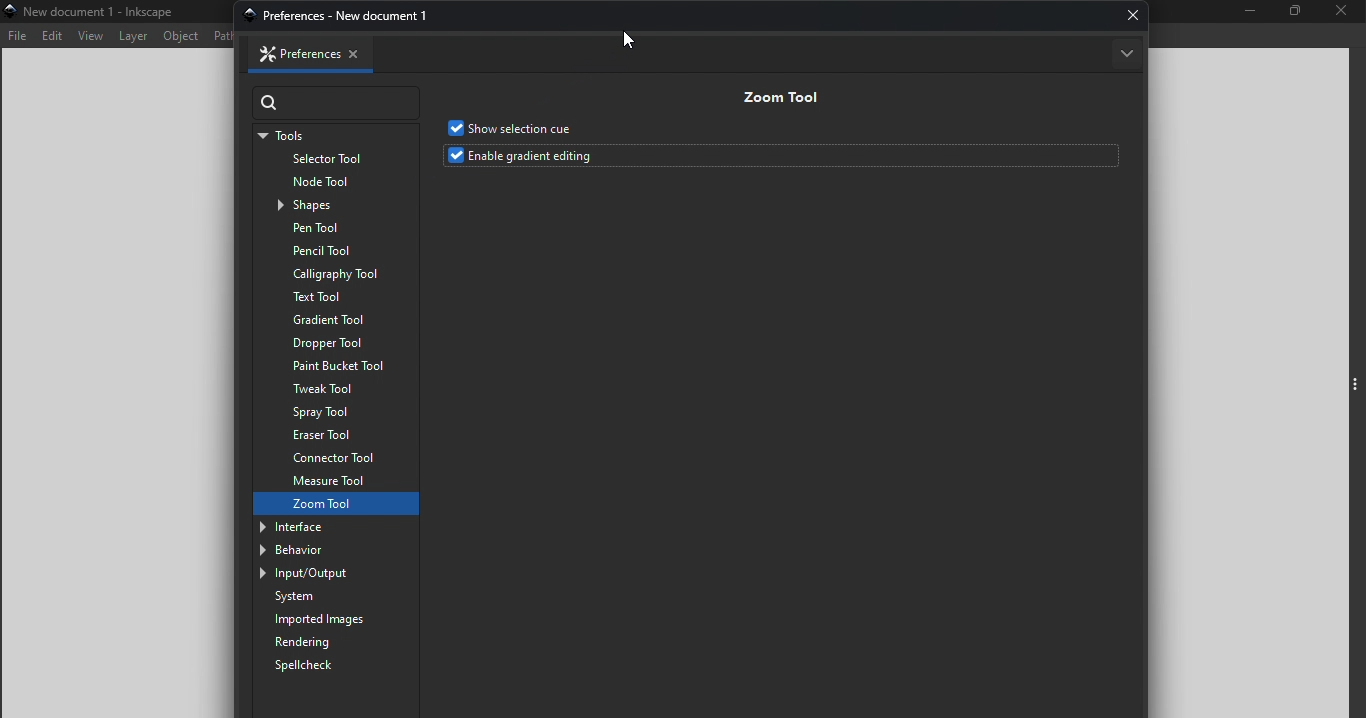  What do you see at coordinates (325, 455) in the screenshot?
I see `Connector tool` at bounding box center [325, 455].